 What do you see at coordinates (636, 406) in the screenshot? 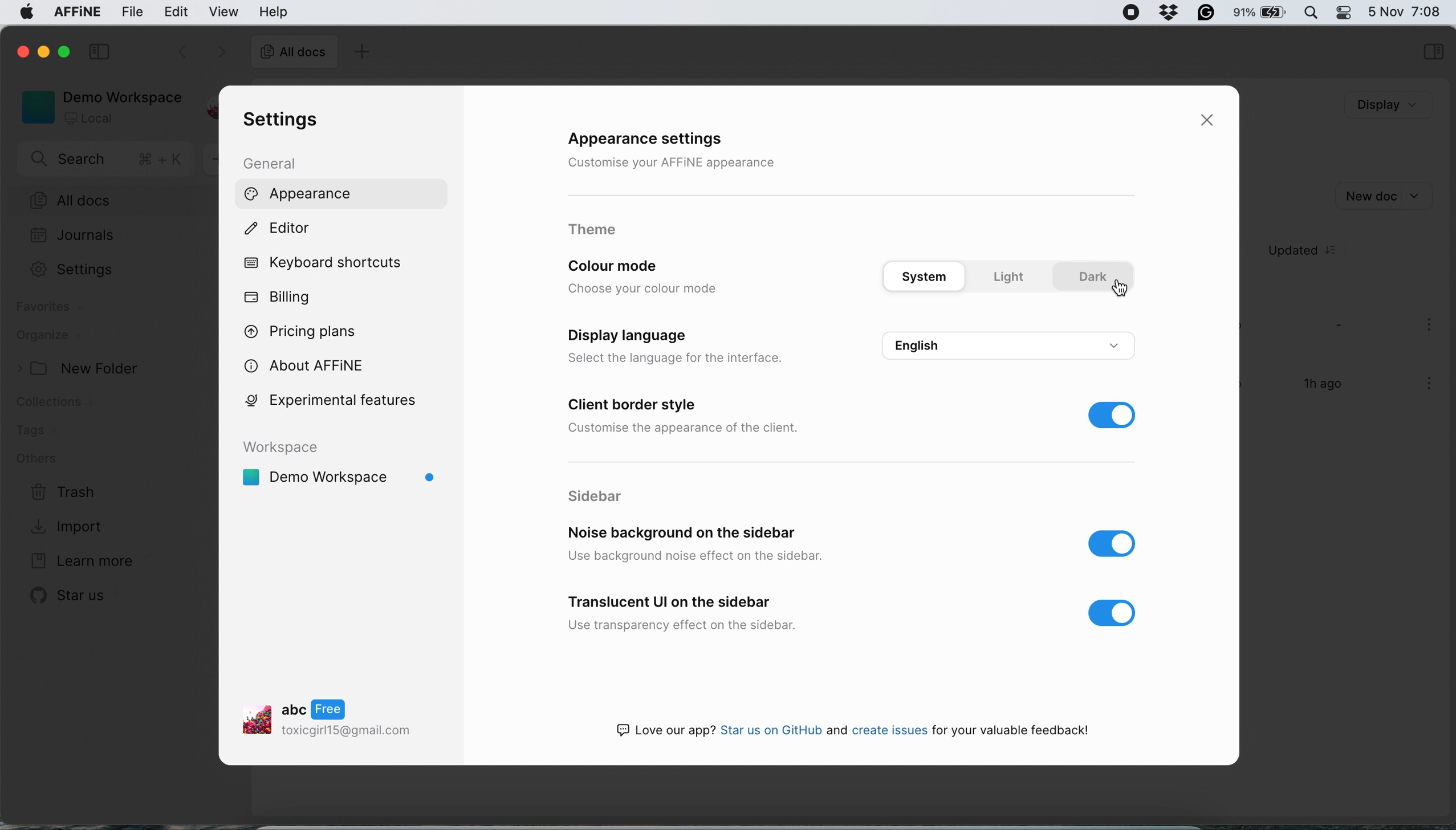
I see `client border style` at bounding box center [636, 406].